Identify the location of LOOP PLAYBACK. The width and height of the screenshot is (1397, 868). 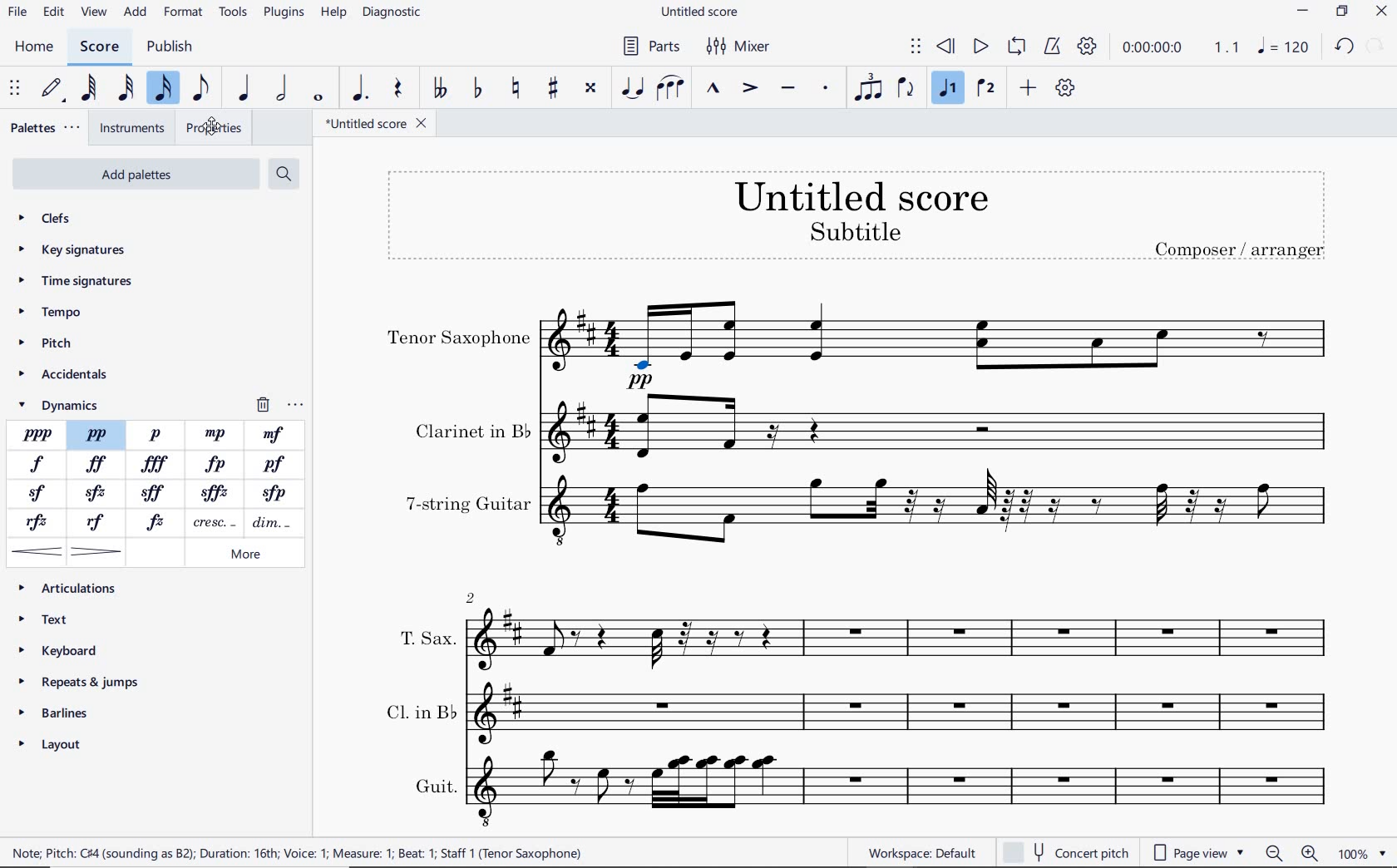
(1019, 47).